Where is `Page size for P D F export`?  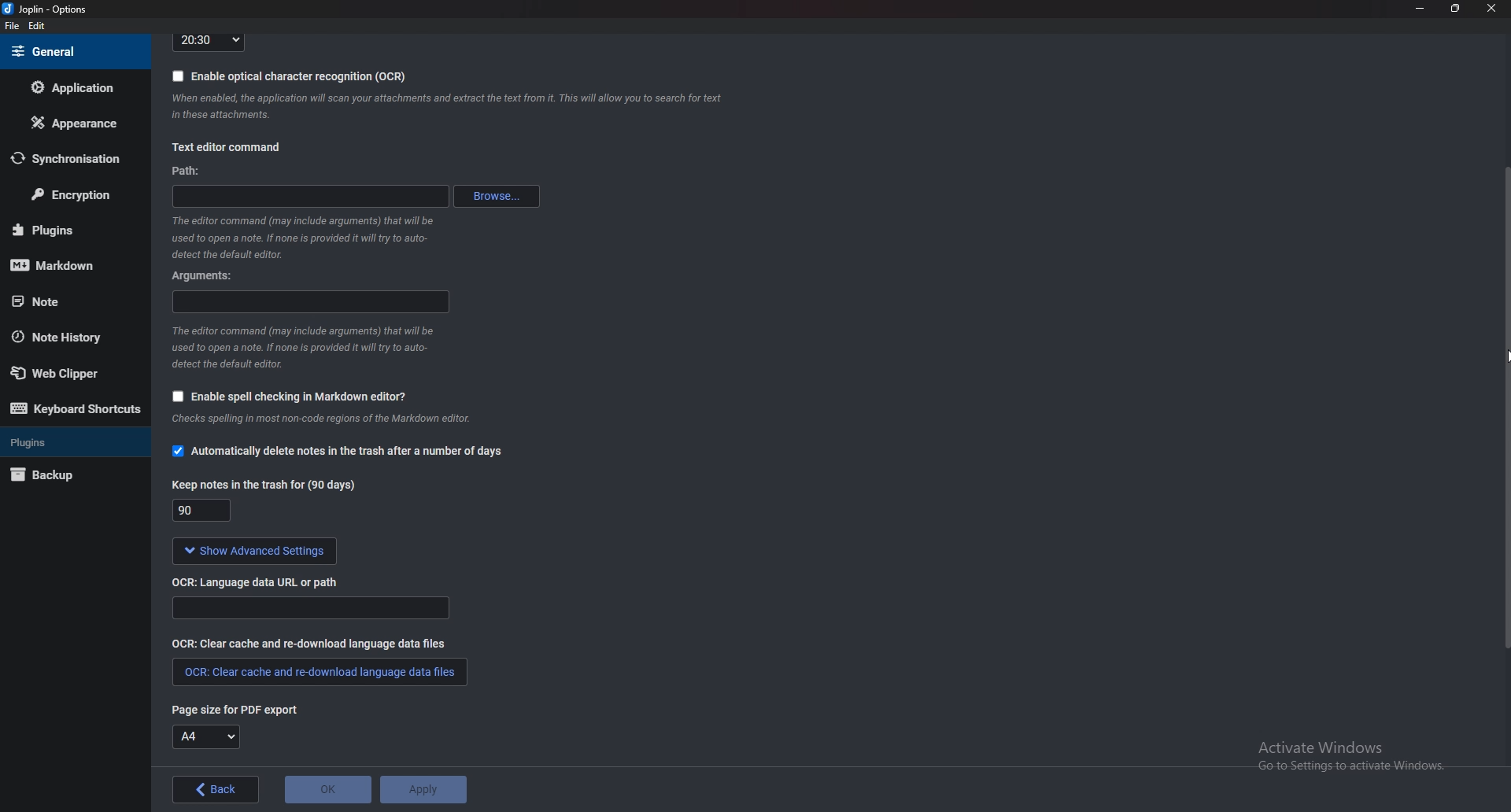
Page size for P D F export is located at coordinates (227, 709).